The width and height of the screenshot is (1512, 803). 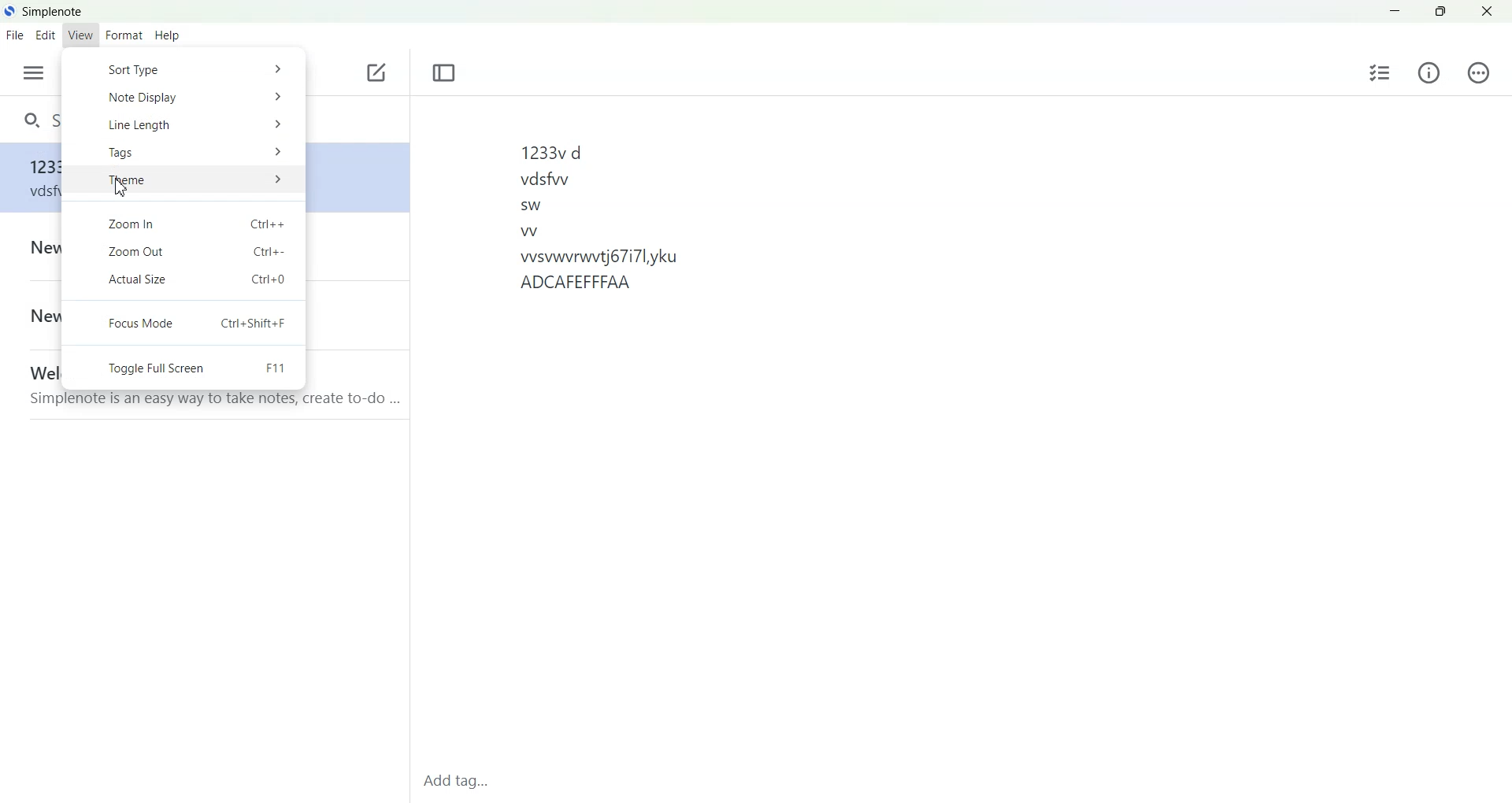 What do you see at coordinates (183, 152) in the screenshot?
I see `Tags` at bounding box center [183, 152].